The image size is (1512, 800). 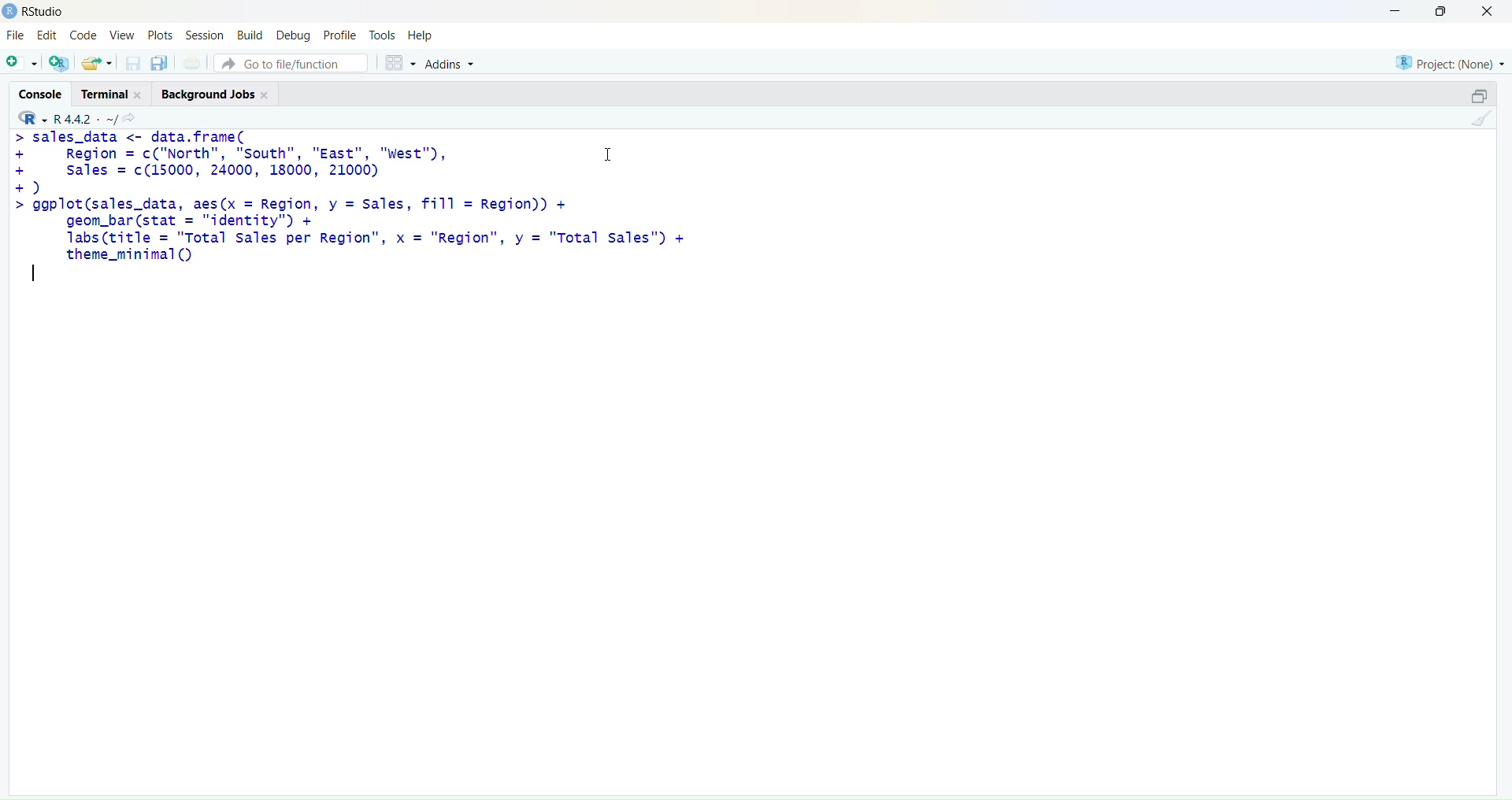 I want to click on View, so click(x=124, y=36).